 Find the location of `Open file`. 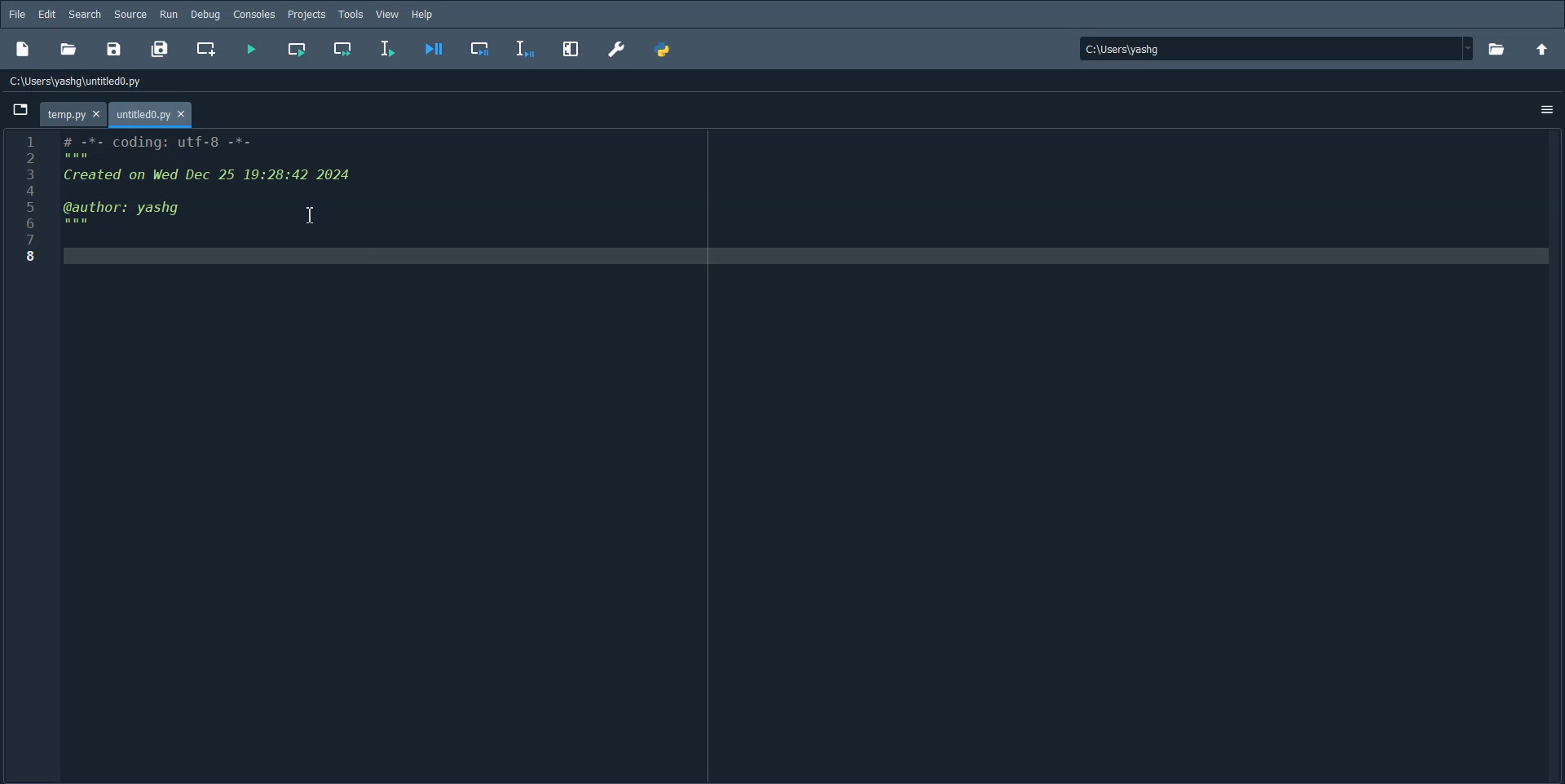

Open file is located at coordinates (1498, 47).